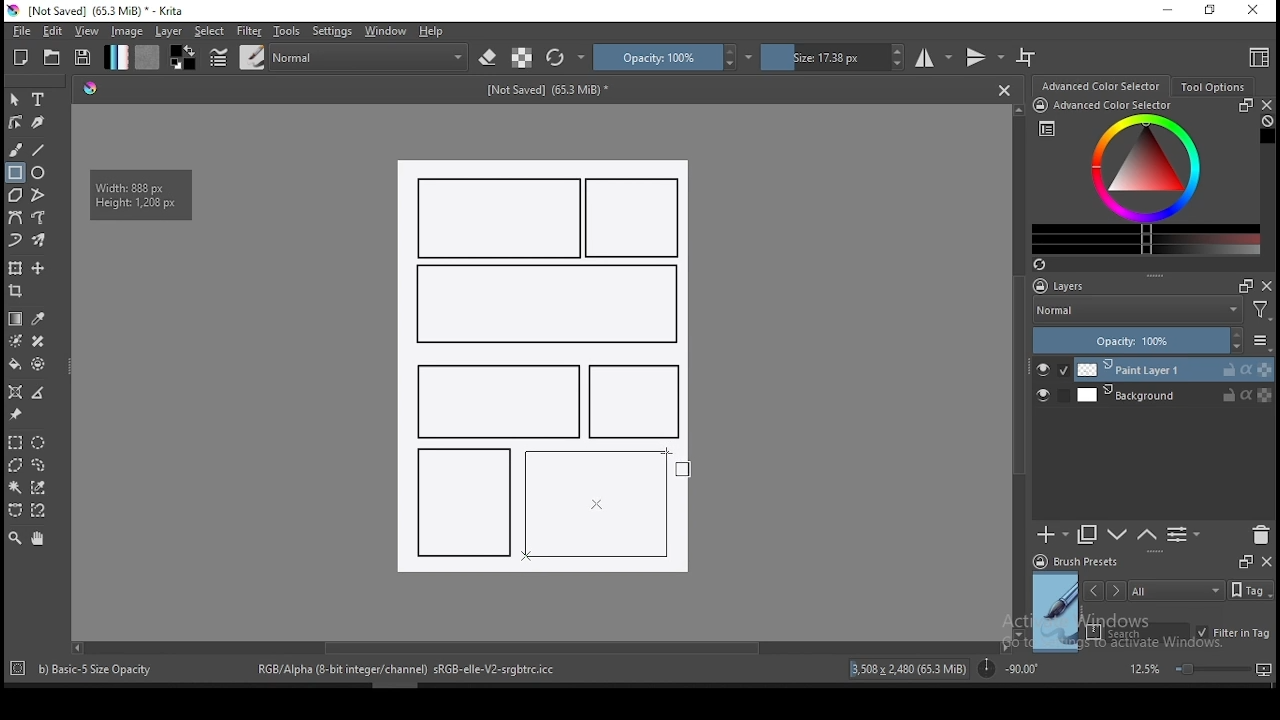 The width and height of the screenshot is (1280, 720). Describe the element at coordinates (1183, 534) in the screenshot. I see `view or change layer properties` at that location.